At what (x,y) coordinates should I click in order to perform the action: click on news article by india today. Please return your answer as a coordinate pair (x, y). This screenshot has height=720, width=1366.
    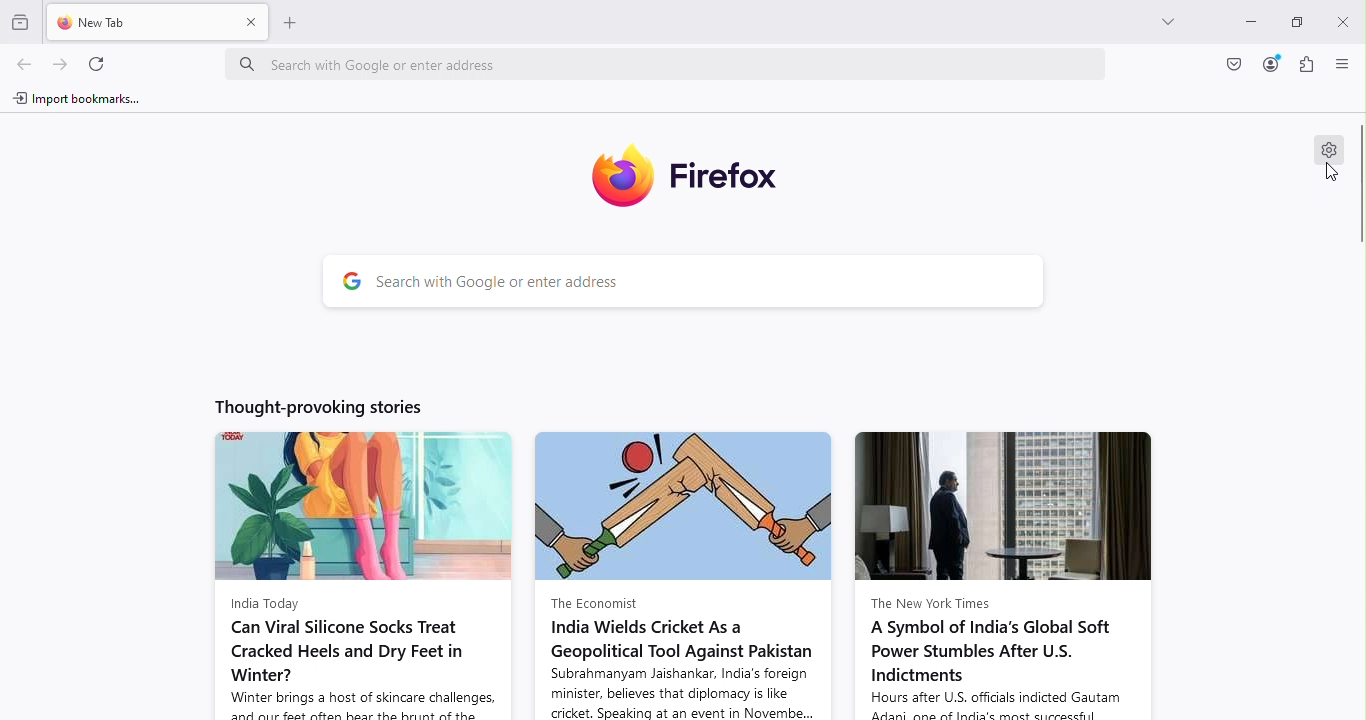
    Looking at the image, I should click on (356, 574).